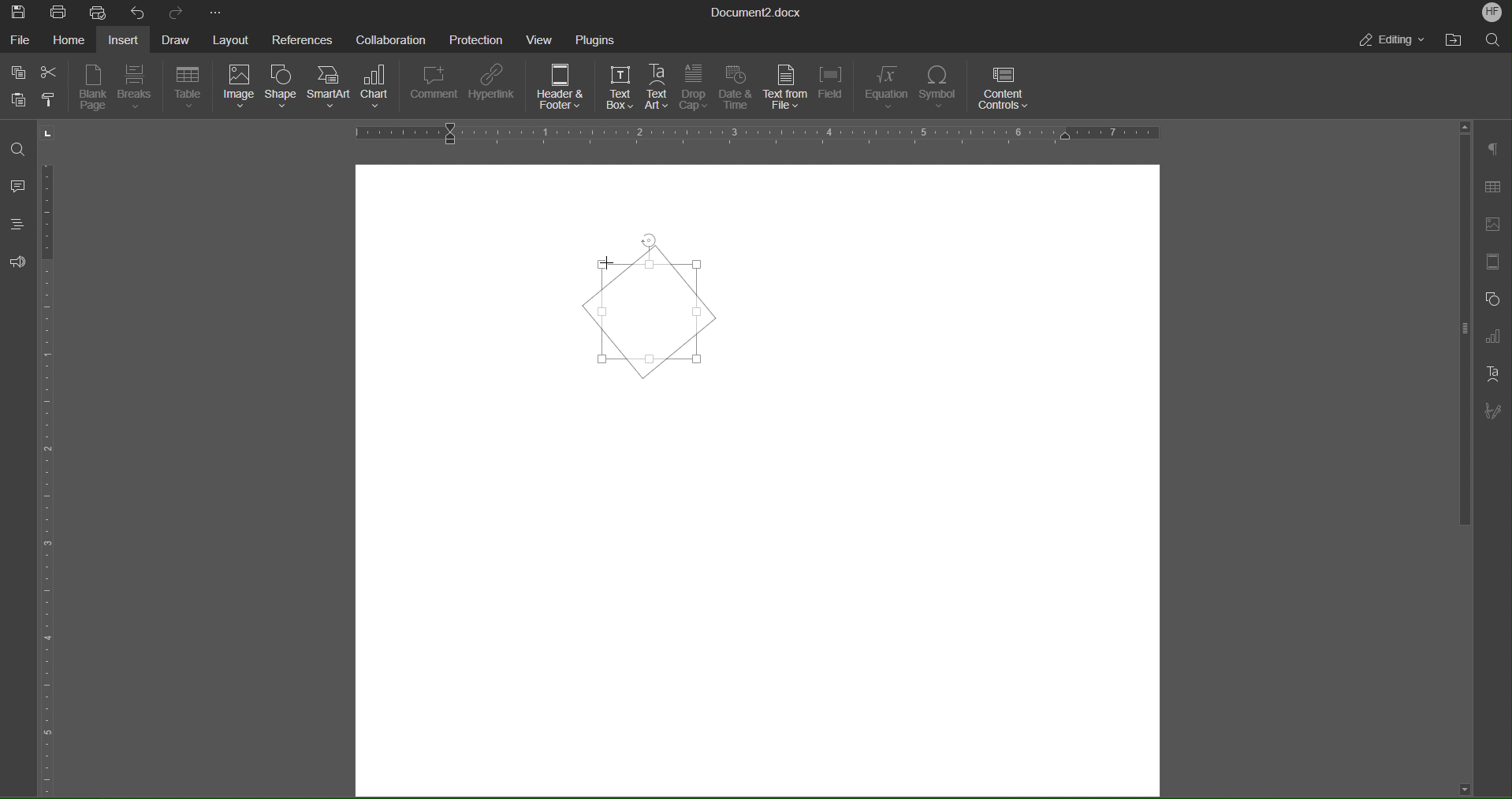 The image size is (1512, 799). I want to click on Text Art, so click(659, 87).